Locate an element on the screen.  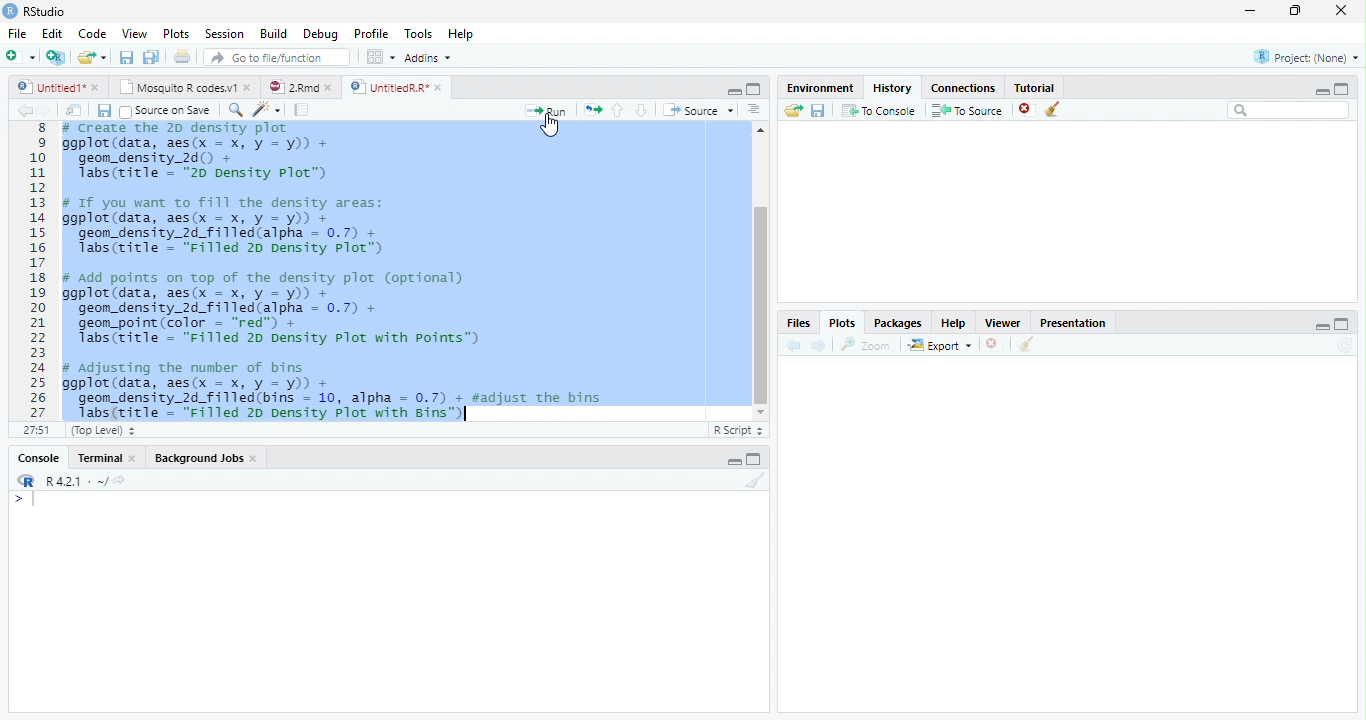
R421 - ~/ is located at coordinates (70, 481).